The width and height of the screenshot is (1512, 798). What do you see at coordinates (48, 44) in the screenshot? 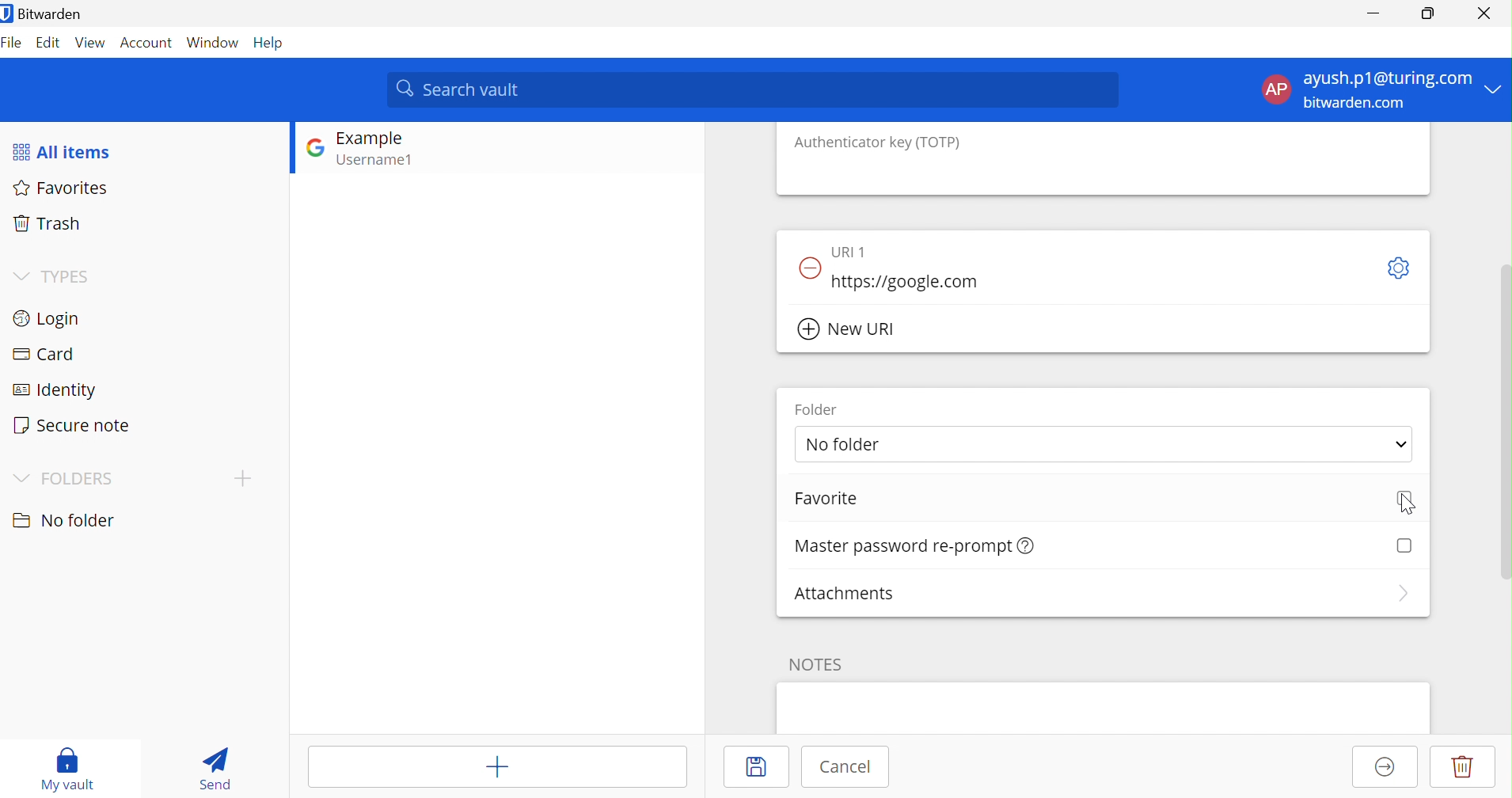
I see `Edit` at bounding box center [48, 44].